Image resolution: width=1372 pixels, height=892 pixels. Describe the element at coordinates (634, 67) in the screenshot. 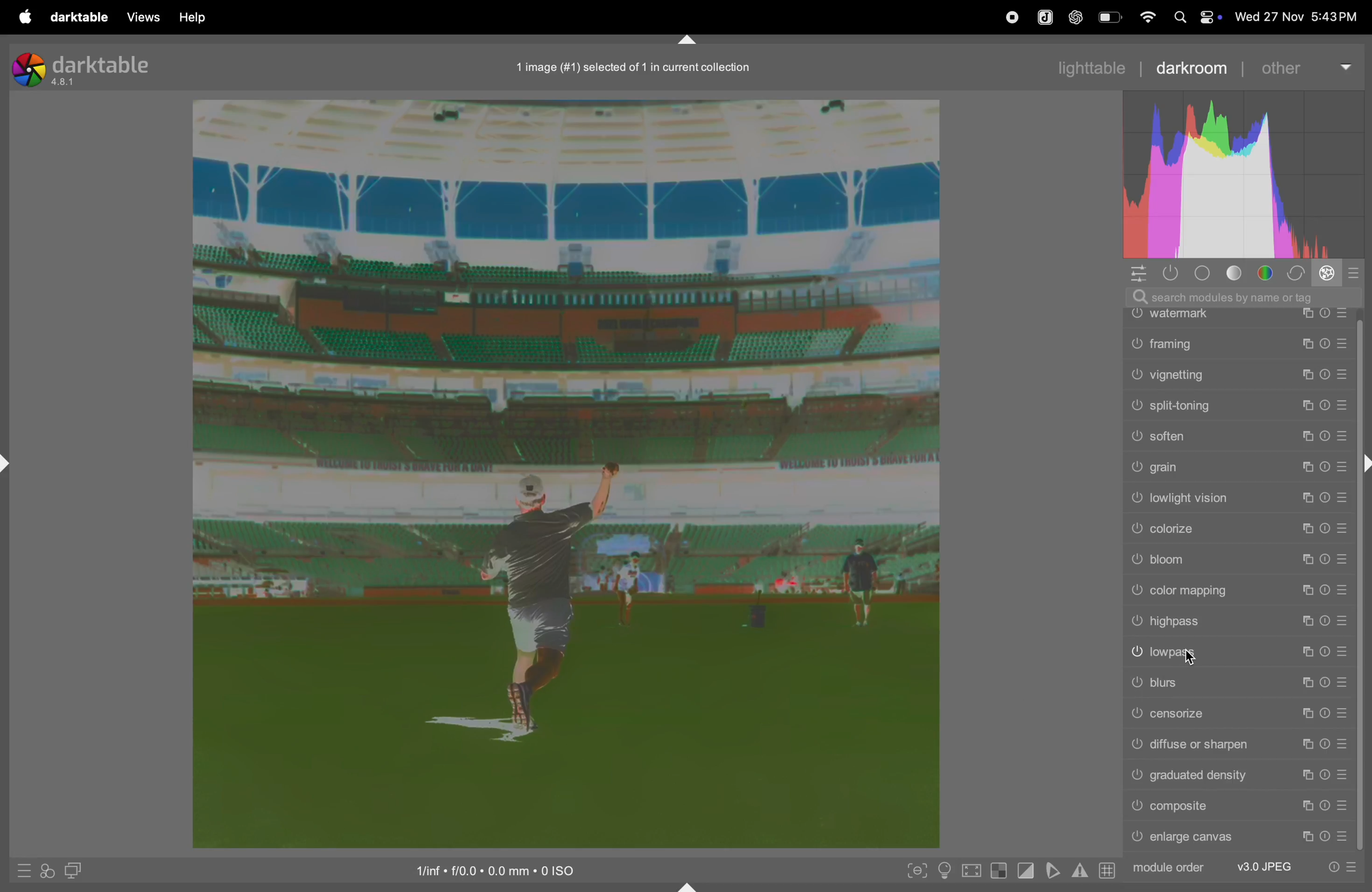

I see `1 image` at that location.